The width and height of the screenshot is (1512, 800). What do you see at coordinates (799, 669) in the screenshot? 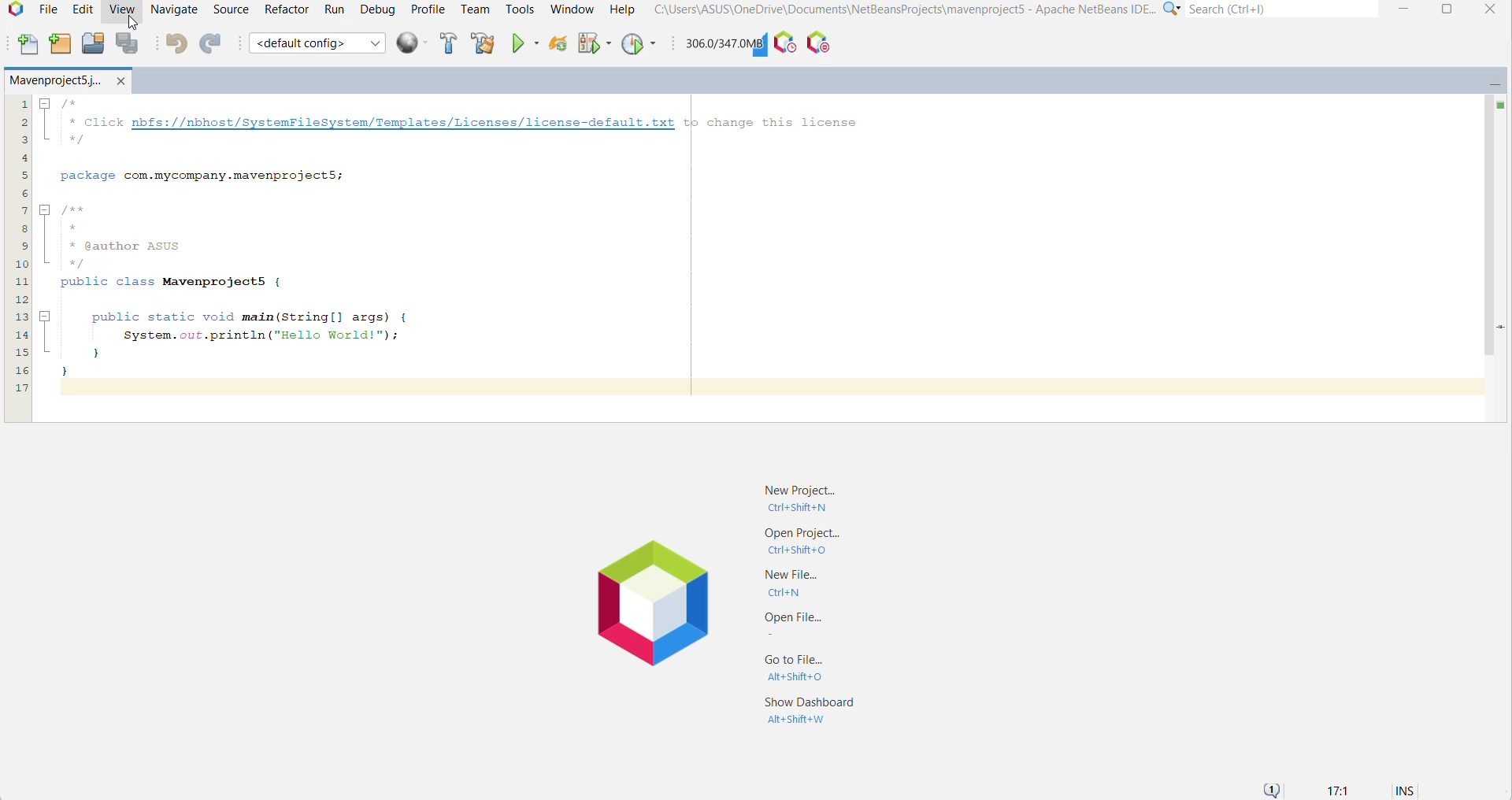
I see `Go to File` at bounding box center [799, 669].